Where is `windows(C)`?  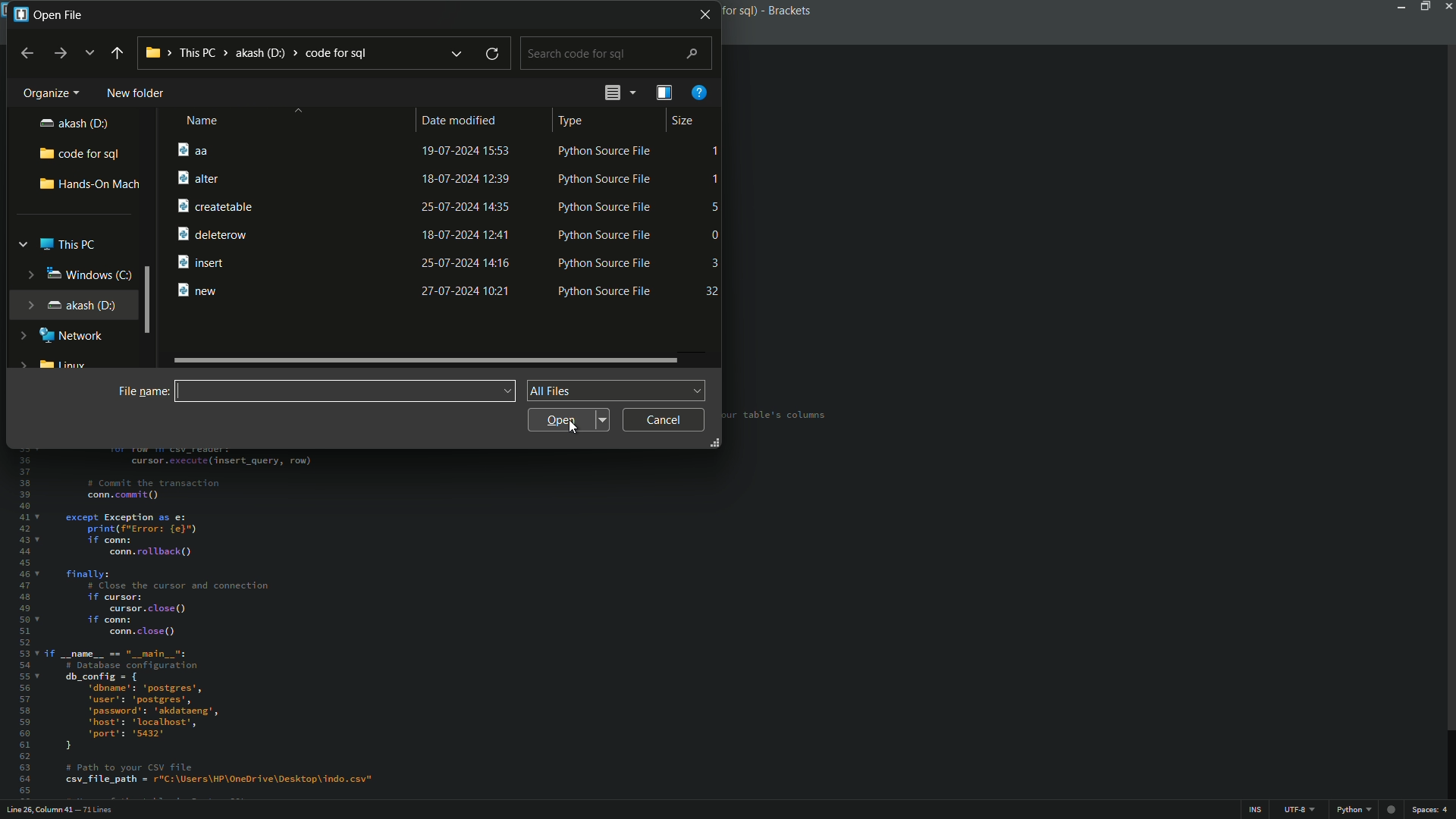
windows(C) is located at coordinates (77, 275).